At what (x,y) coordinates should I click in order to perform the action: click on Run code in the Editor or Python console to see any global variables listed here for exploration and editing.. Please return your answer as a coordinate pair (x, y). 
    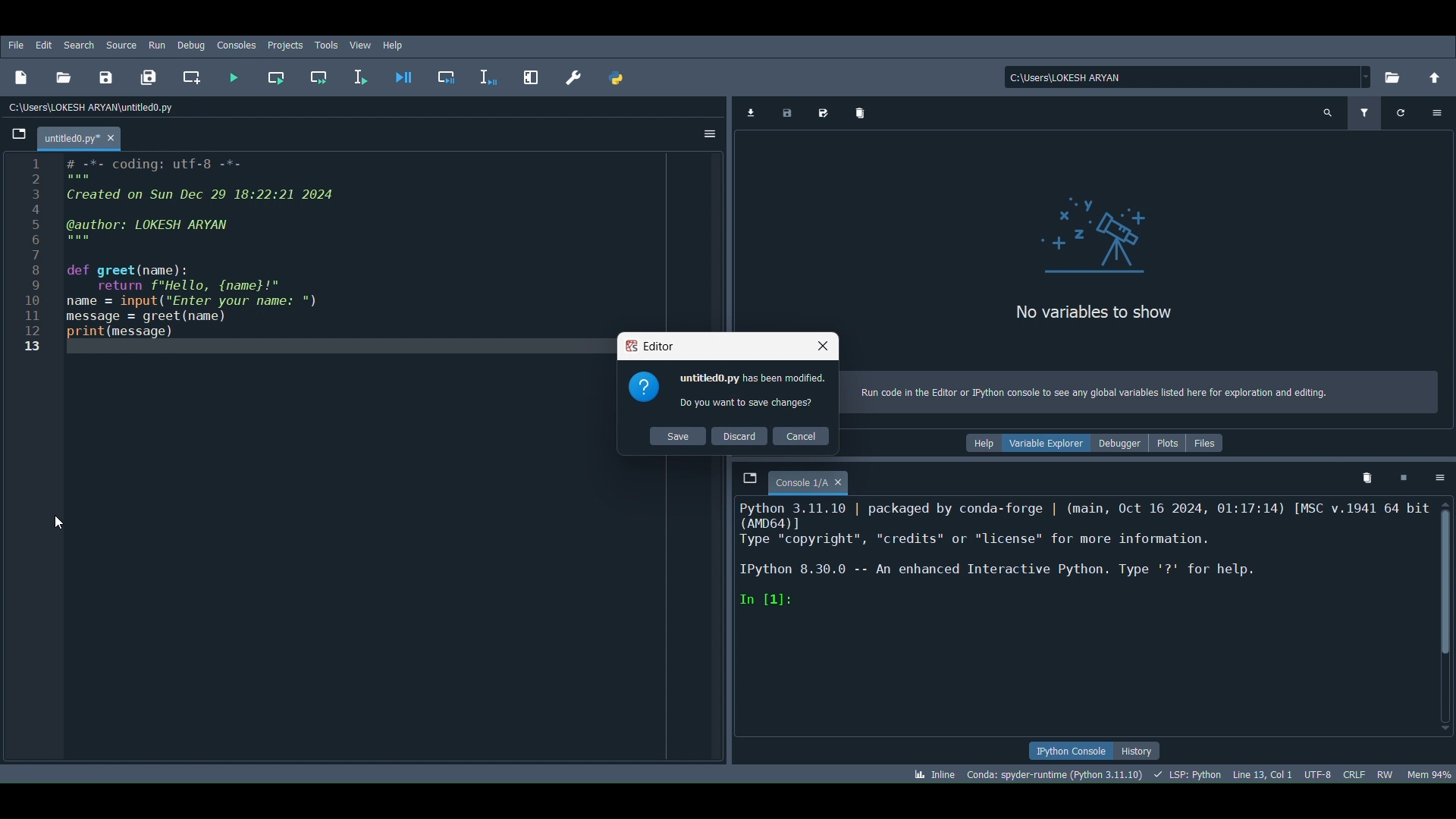
    Looking at the image, I should click on (1104, 395).